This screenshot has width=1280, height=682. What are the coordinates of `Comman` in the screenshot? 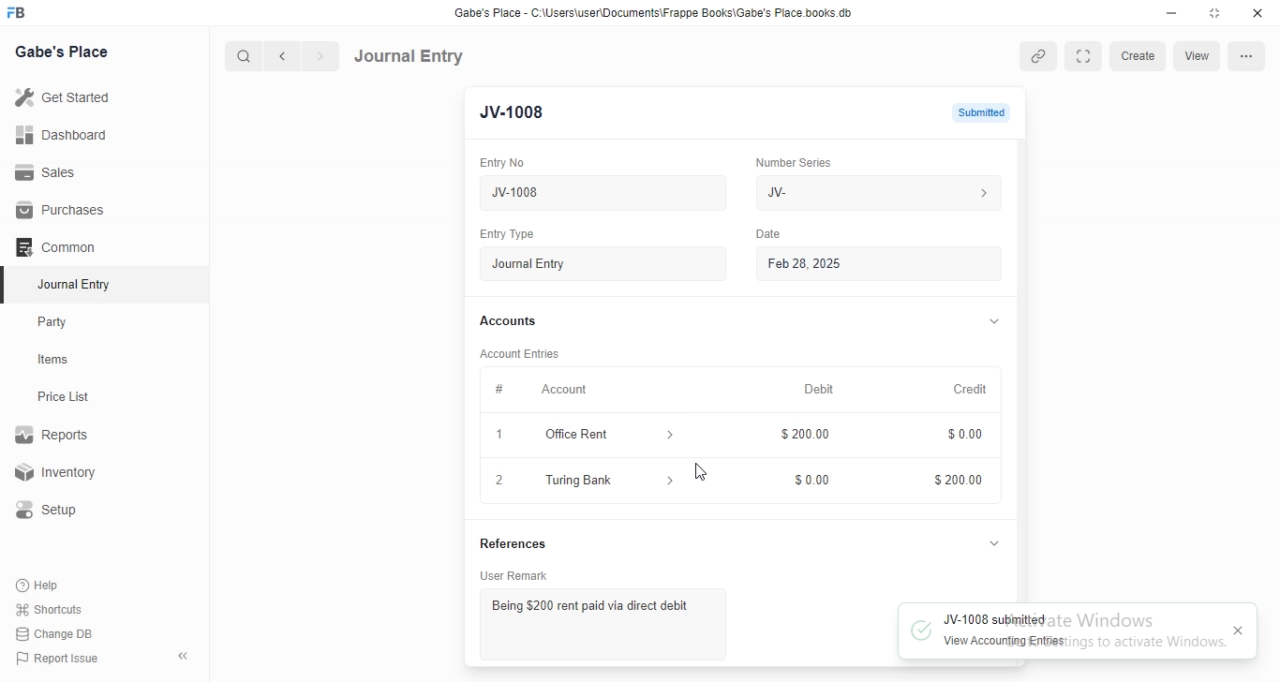 It's located at (49, 247).